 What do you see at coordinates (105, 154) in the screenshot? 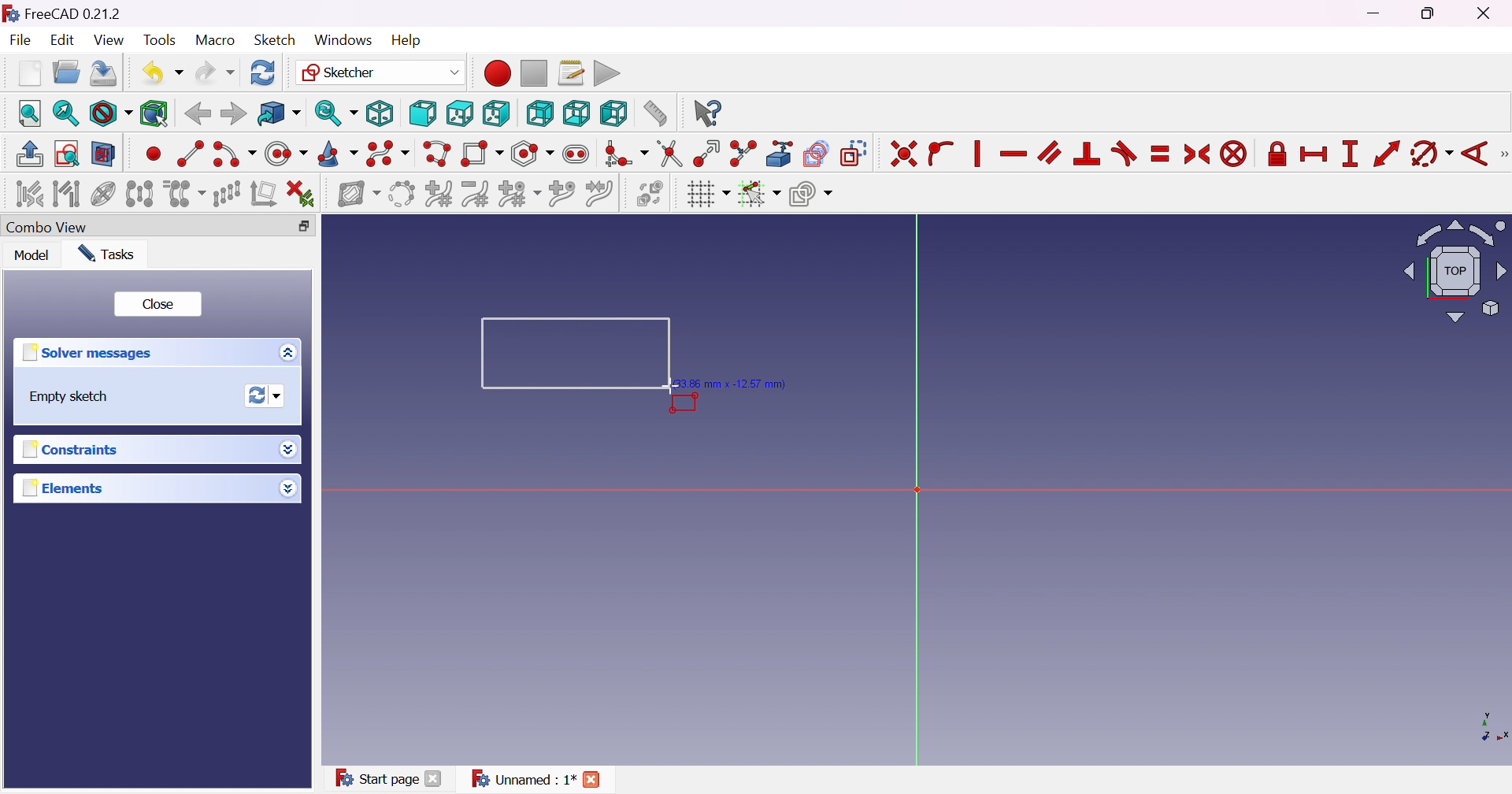
I see `View section` at bounding box center [105, 154].